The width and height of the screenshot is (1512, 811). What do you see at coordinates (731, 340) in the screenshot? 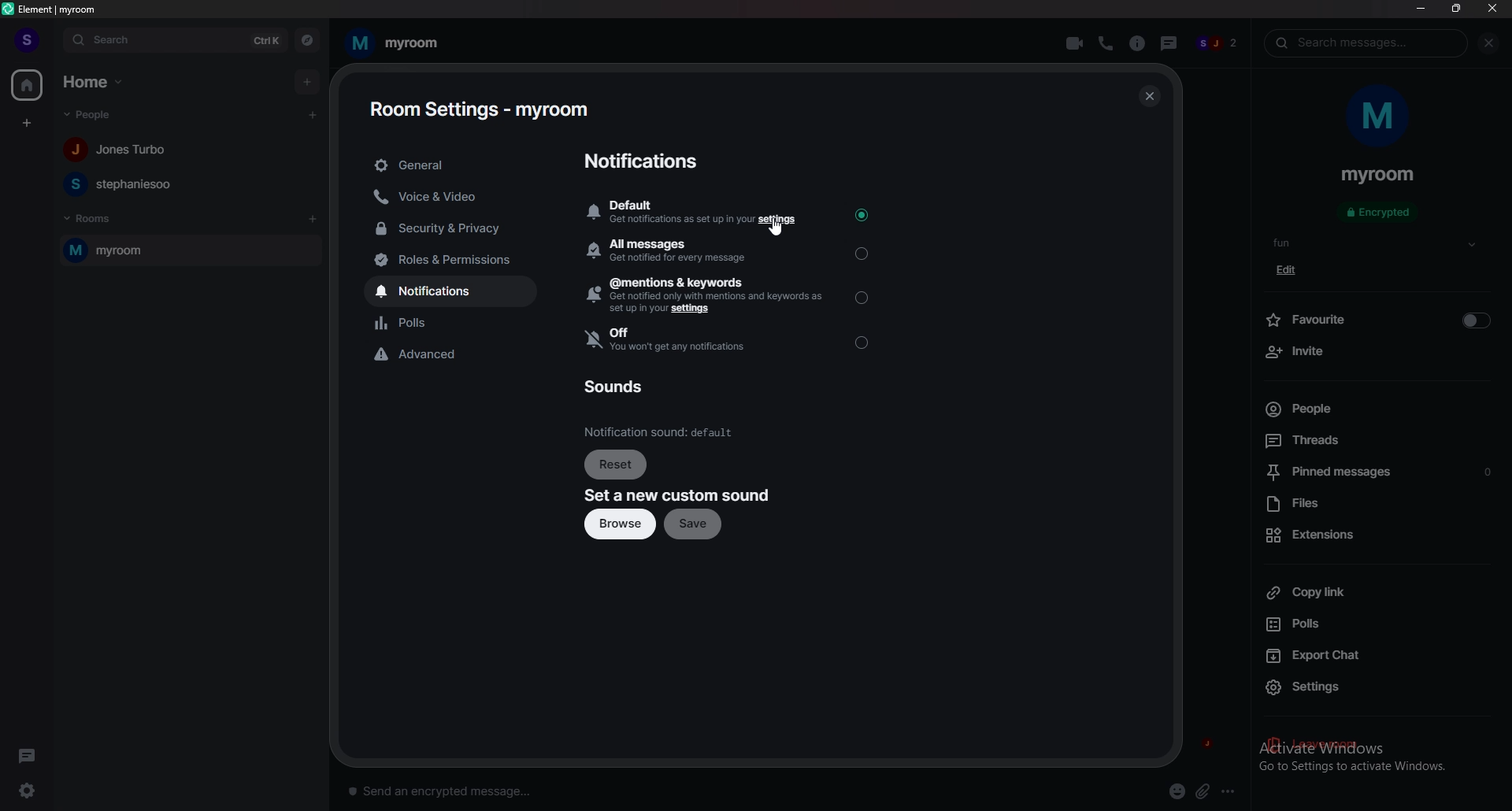
I see `off` at bounding box center [731, 340].